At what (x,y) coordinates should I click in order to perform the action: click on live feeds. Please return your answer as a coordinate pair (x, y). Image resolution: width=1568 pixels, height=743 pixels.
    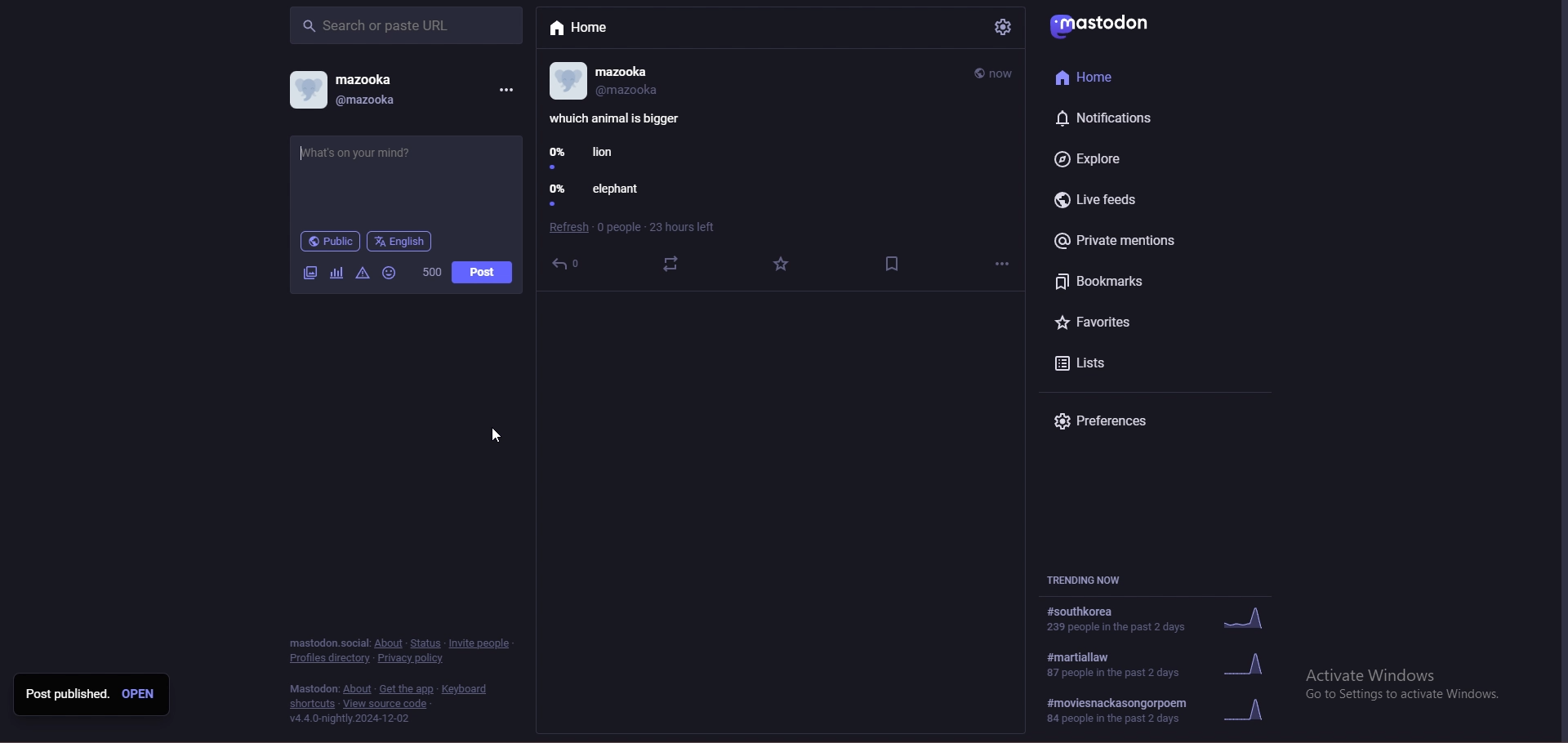
    Looking at the image, I should click on (1104, 200).